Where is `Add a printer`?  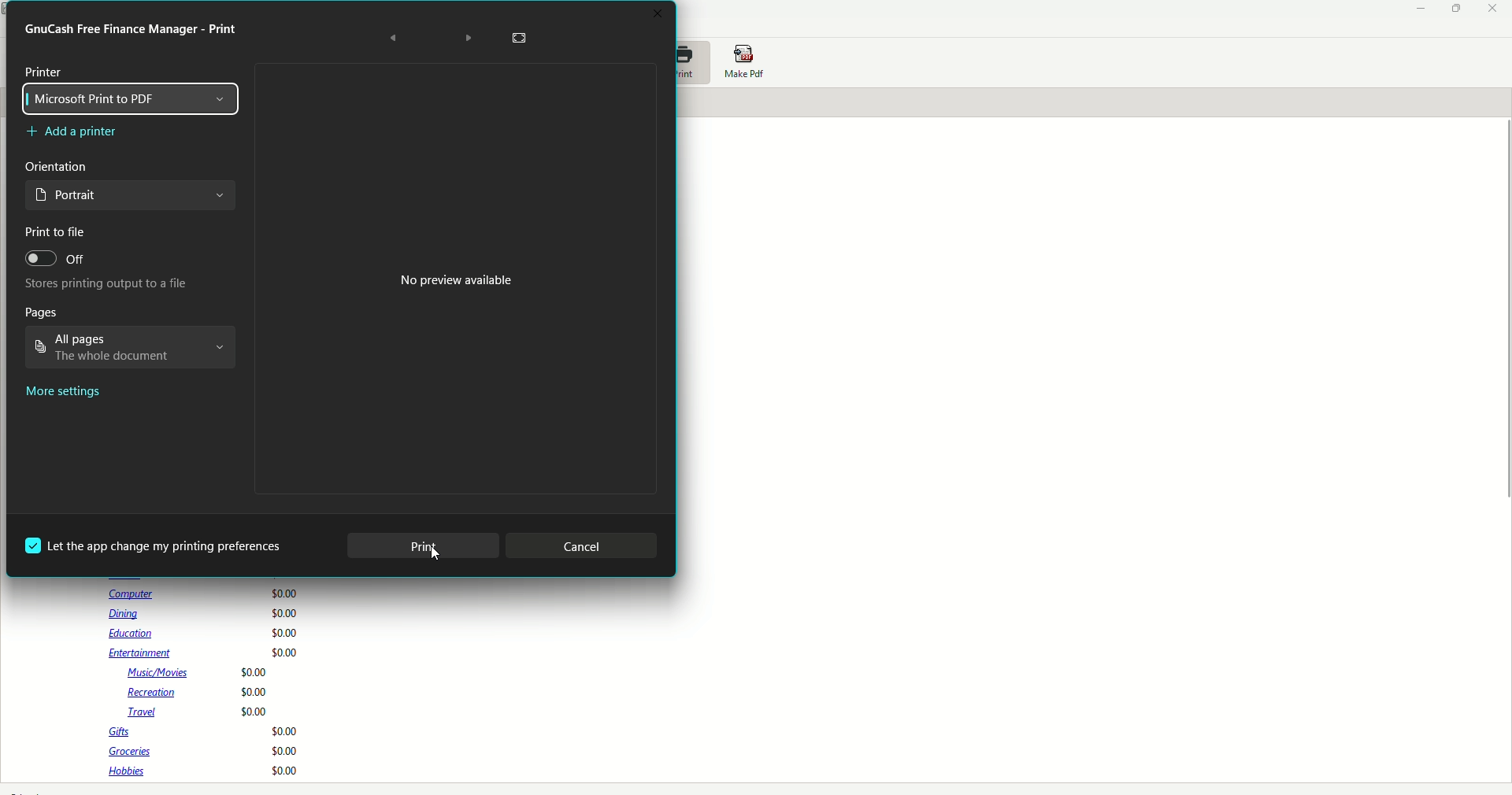
Add a printer is located at coordinates (76, 132).